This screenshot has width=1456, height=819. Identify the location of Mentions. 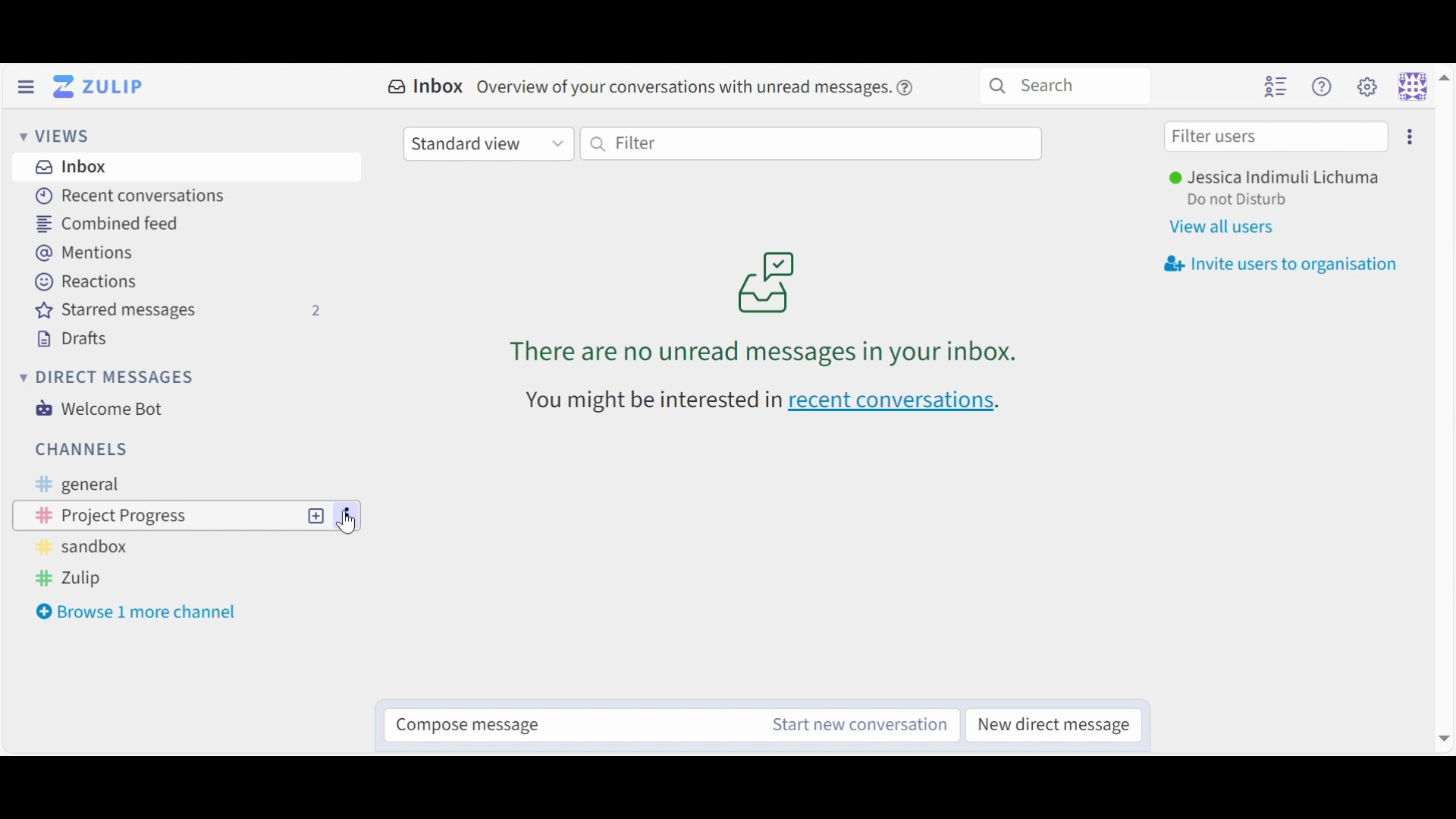
(92, 253).